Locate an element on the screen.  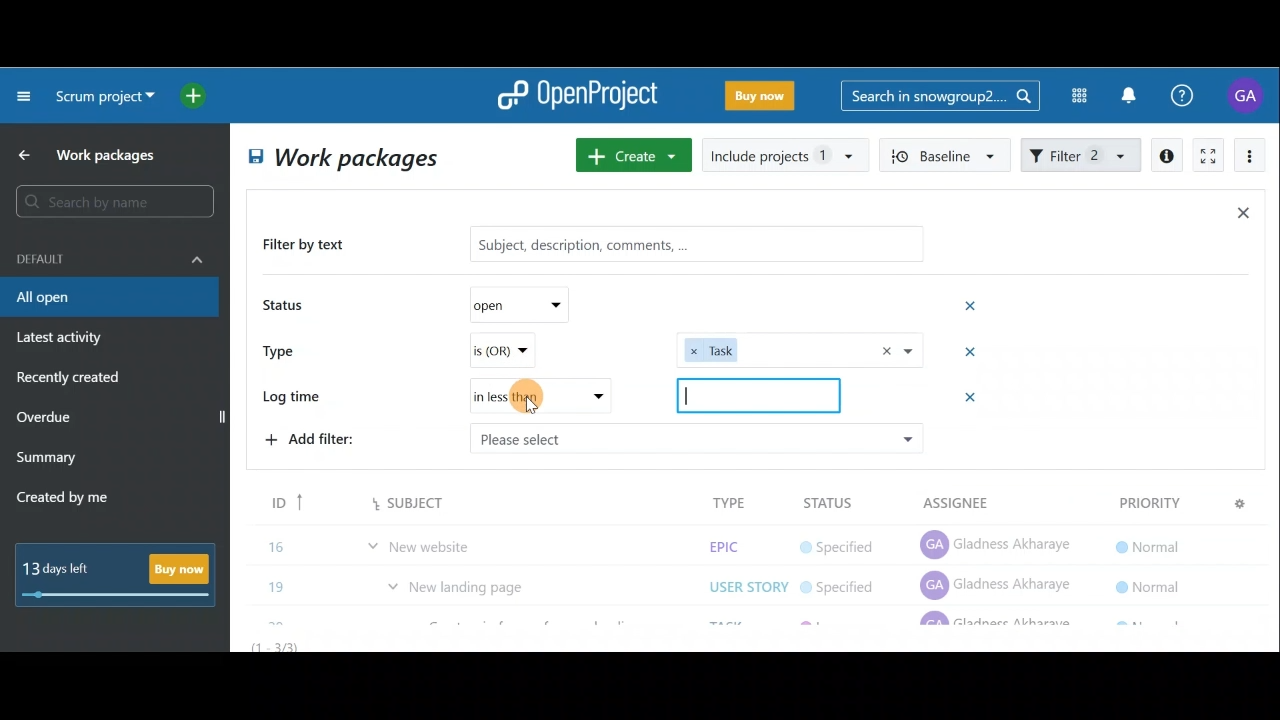
Modules is located at coordinates (1073, 96).